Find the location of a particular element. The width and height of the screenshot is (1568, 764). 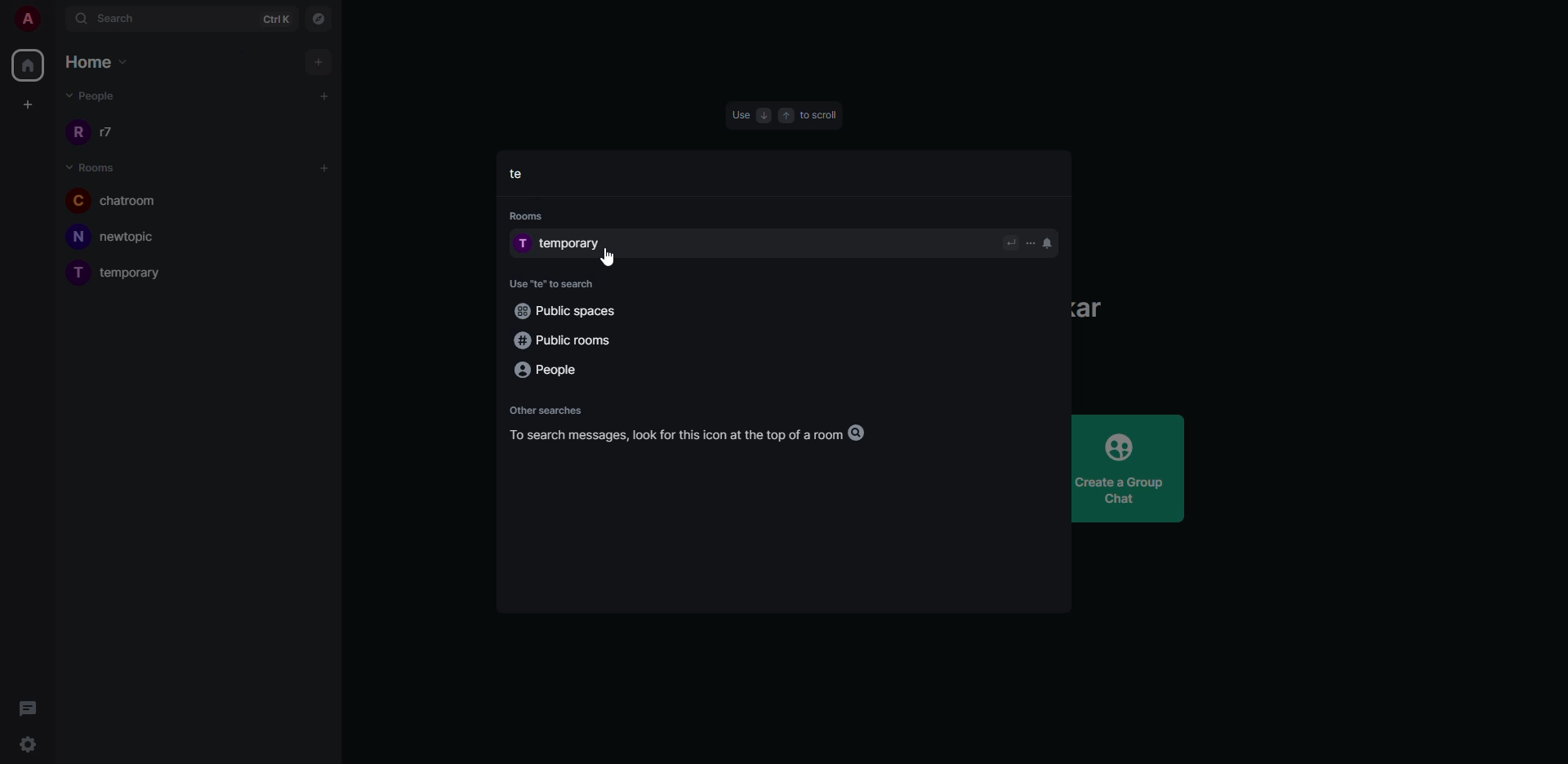

cursor is located at coordinates (620, 258).